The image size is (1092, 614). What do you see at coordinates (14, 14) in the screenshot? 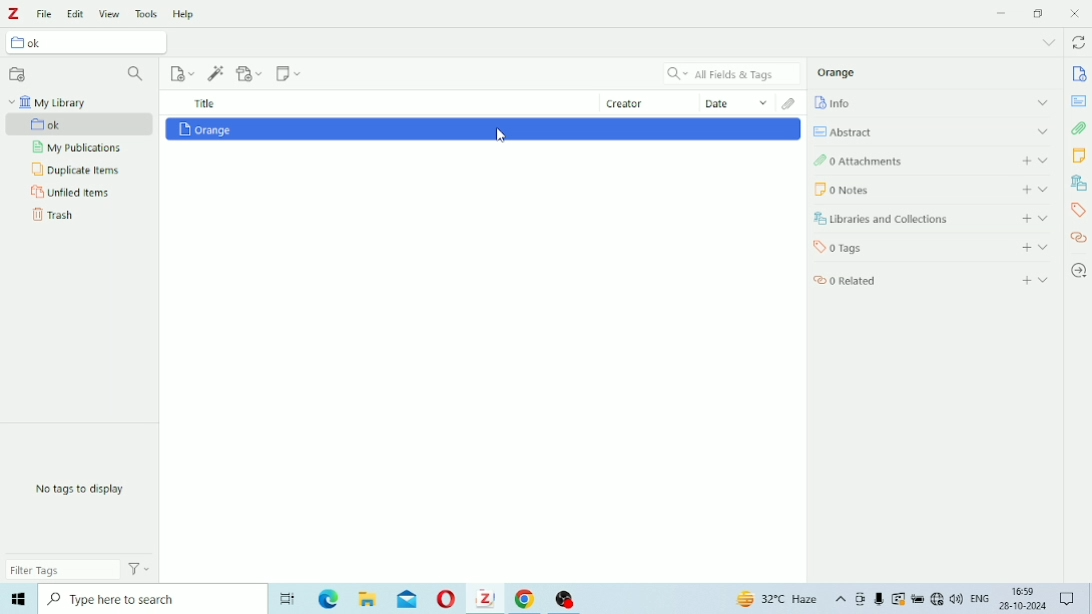
I see `Logo` at bounding box center [14, 14].